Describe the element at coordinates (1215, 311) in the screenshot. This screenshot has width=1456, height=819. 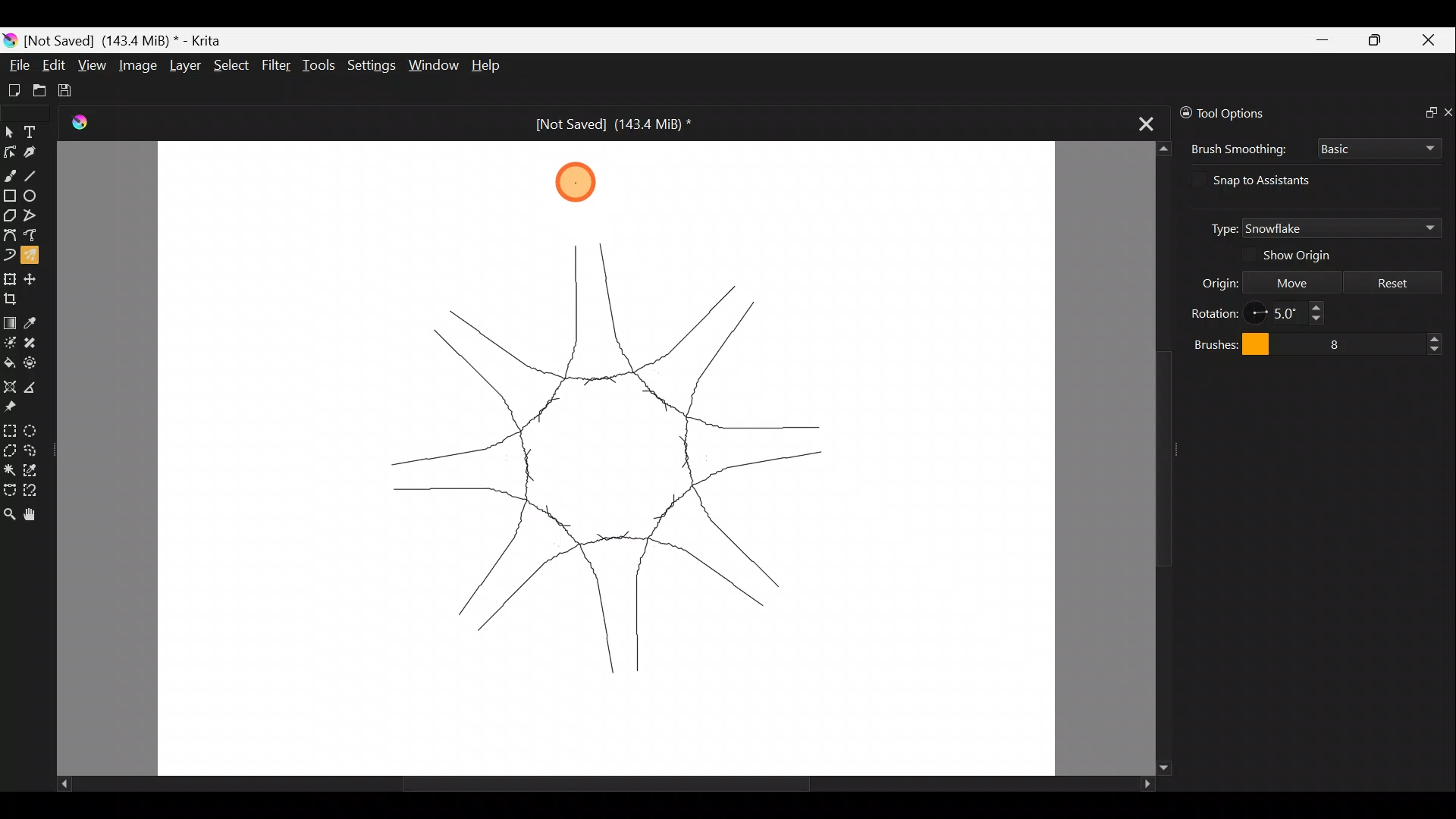
I see `Rotation` at that location.